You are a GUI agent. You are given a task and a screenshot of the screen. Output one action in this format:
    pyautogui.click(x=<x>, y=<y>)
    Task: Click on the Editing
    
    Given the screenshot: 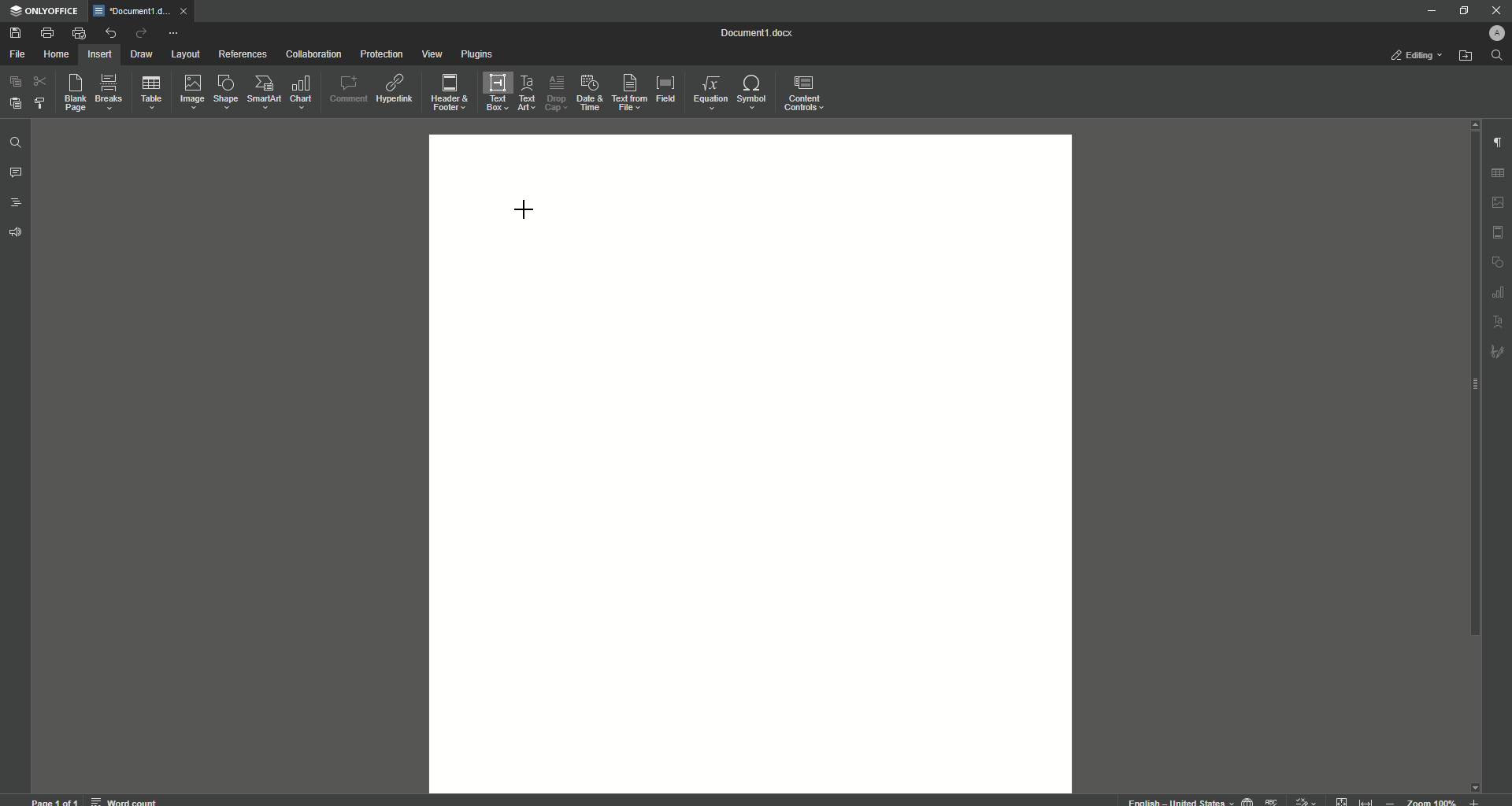 What is the action you would take?
    pyautogui.click(x=1419, y=55)
    